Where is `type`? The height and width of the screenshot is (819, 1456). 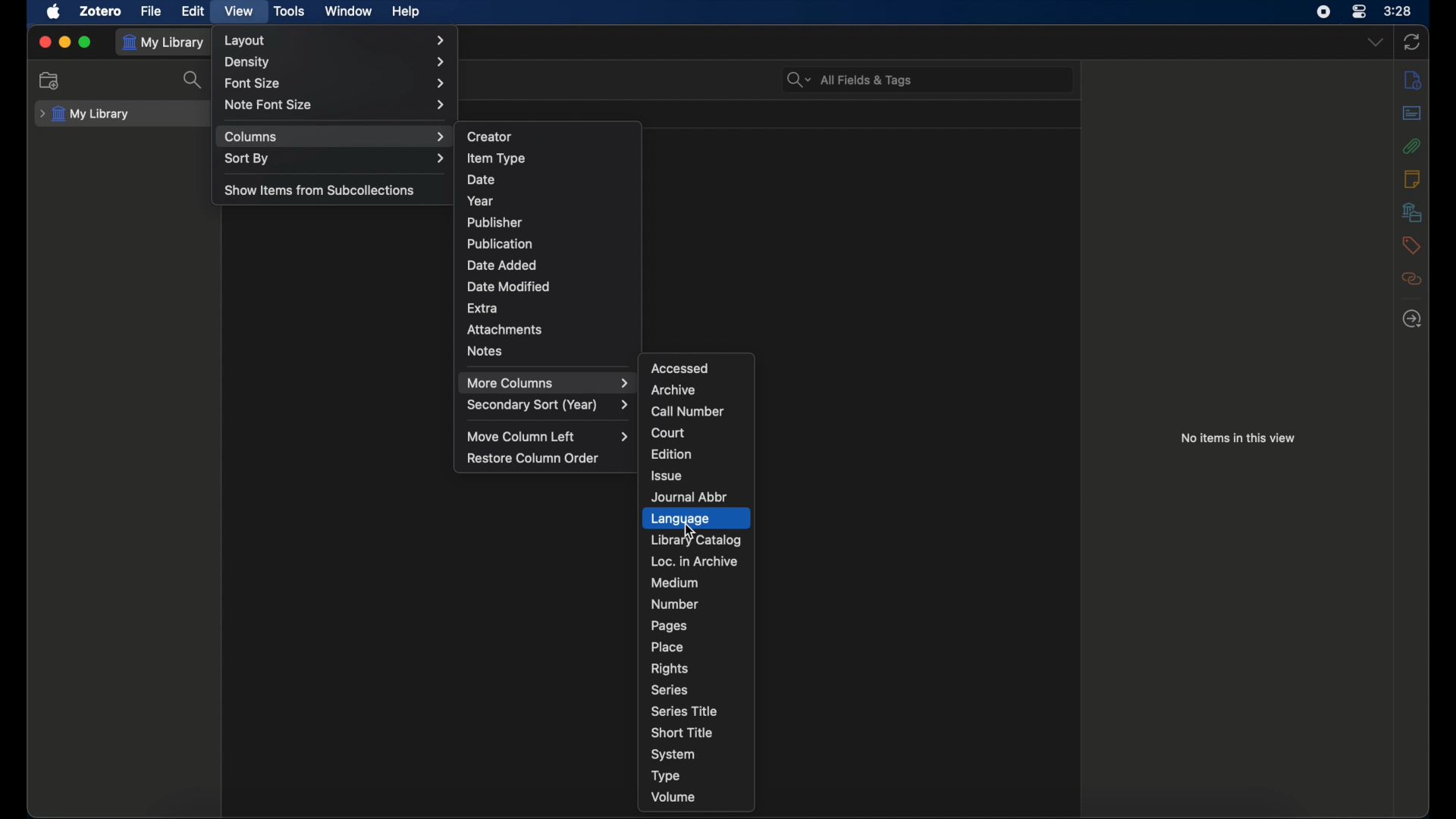 type is located at coordinates (666, 776).